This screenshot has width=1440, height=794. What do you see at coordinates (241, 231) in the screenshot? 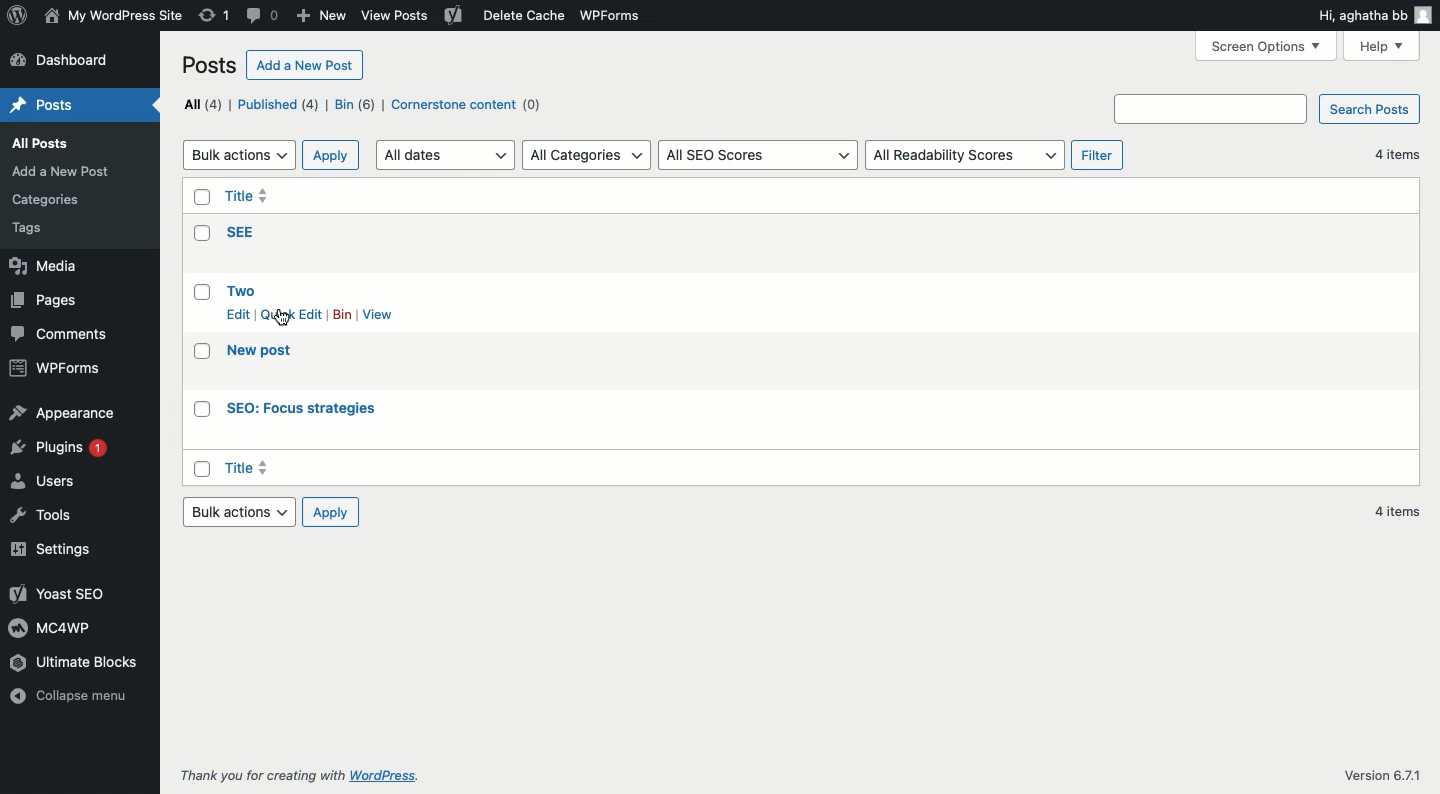
I see `SEE` at bounding box center [241, 231].